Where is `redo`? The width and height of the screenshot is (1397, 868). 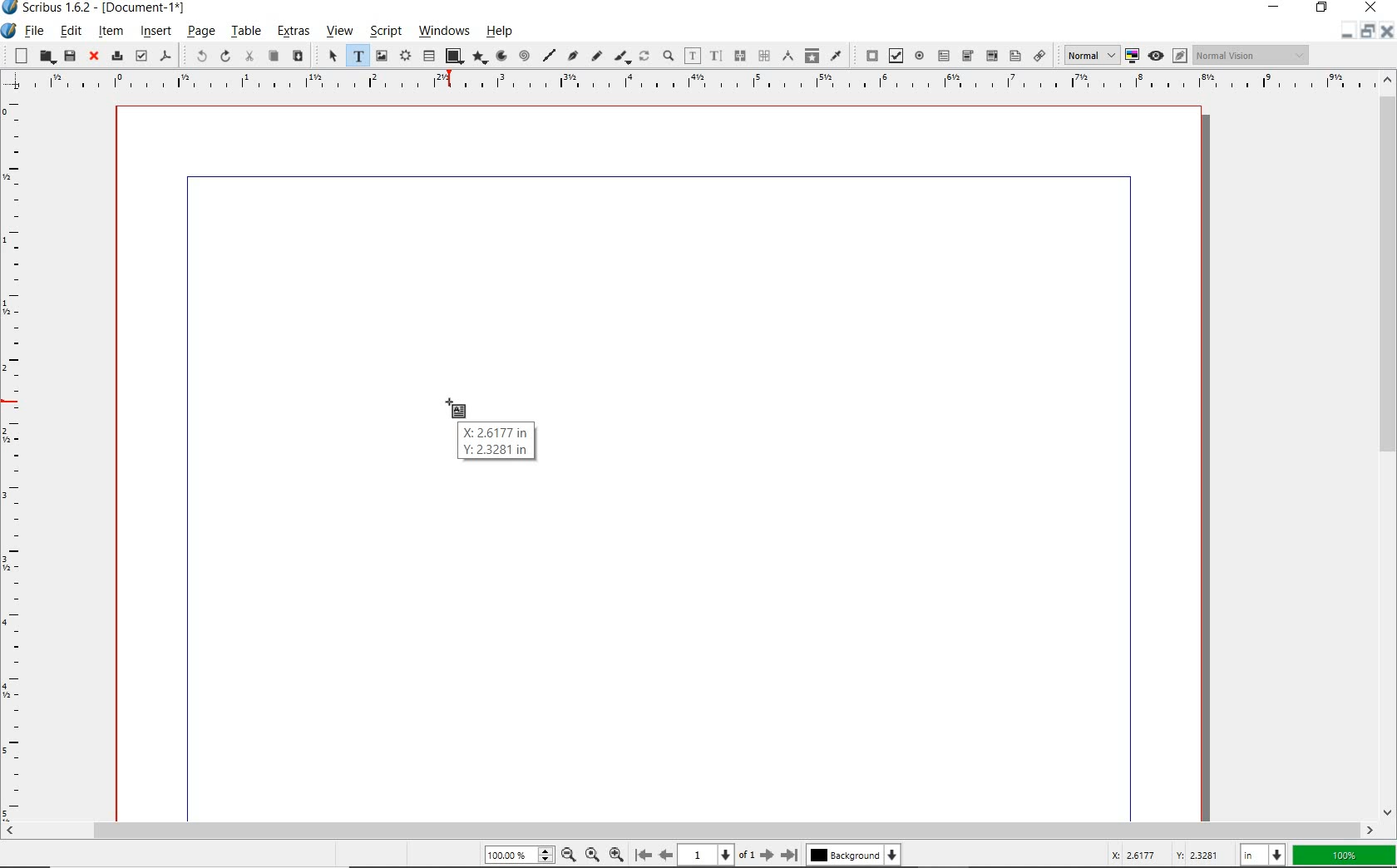
redo is located at coordinates (225, 56).